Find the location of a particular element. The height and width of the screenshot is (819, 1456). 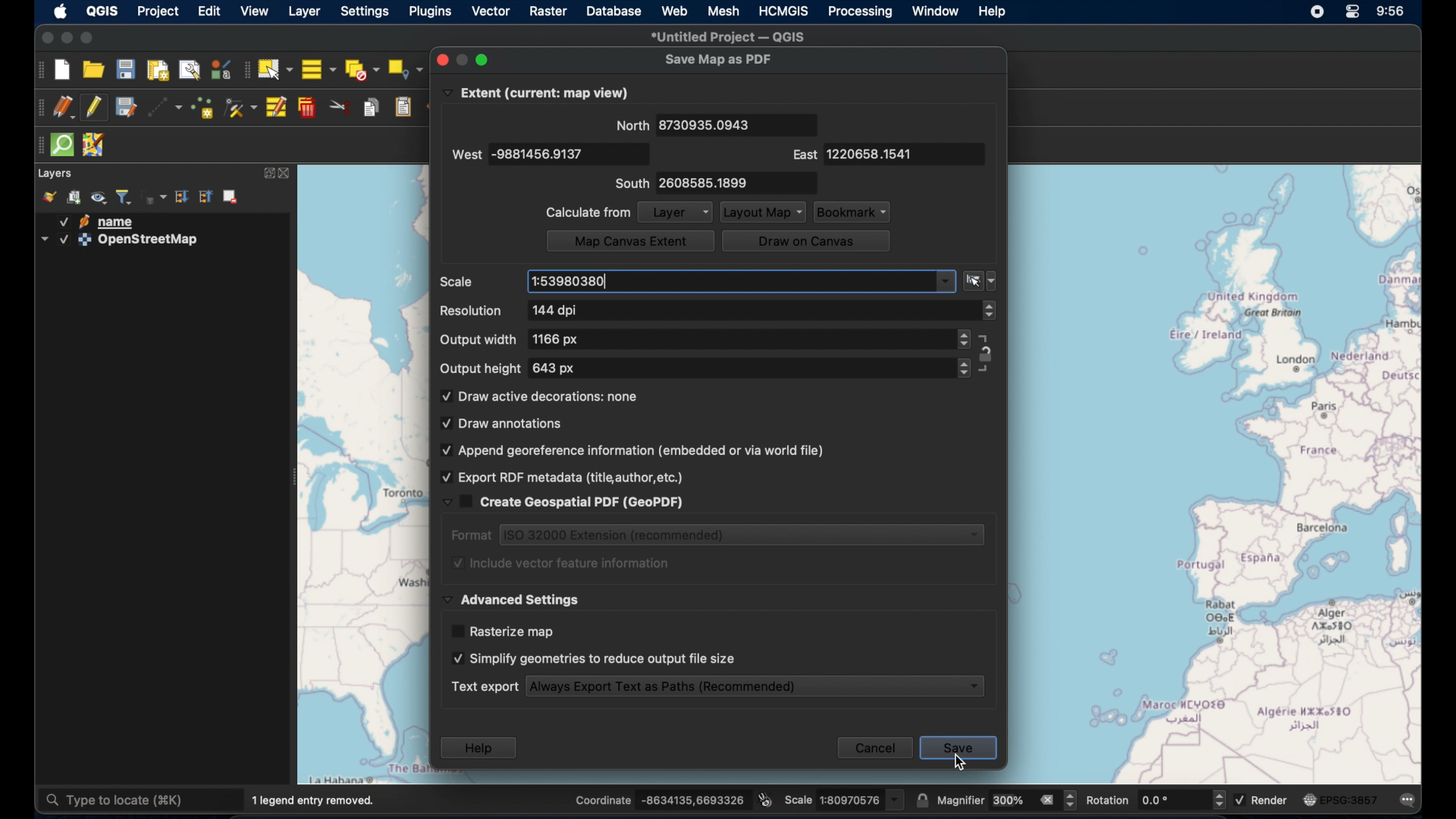

manage map themes is located at coordinates (99, 198).